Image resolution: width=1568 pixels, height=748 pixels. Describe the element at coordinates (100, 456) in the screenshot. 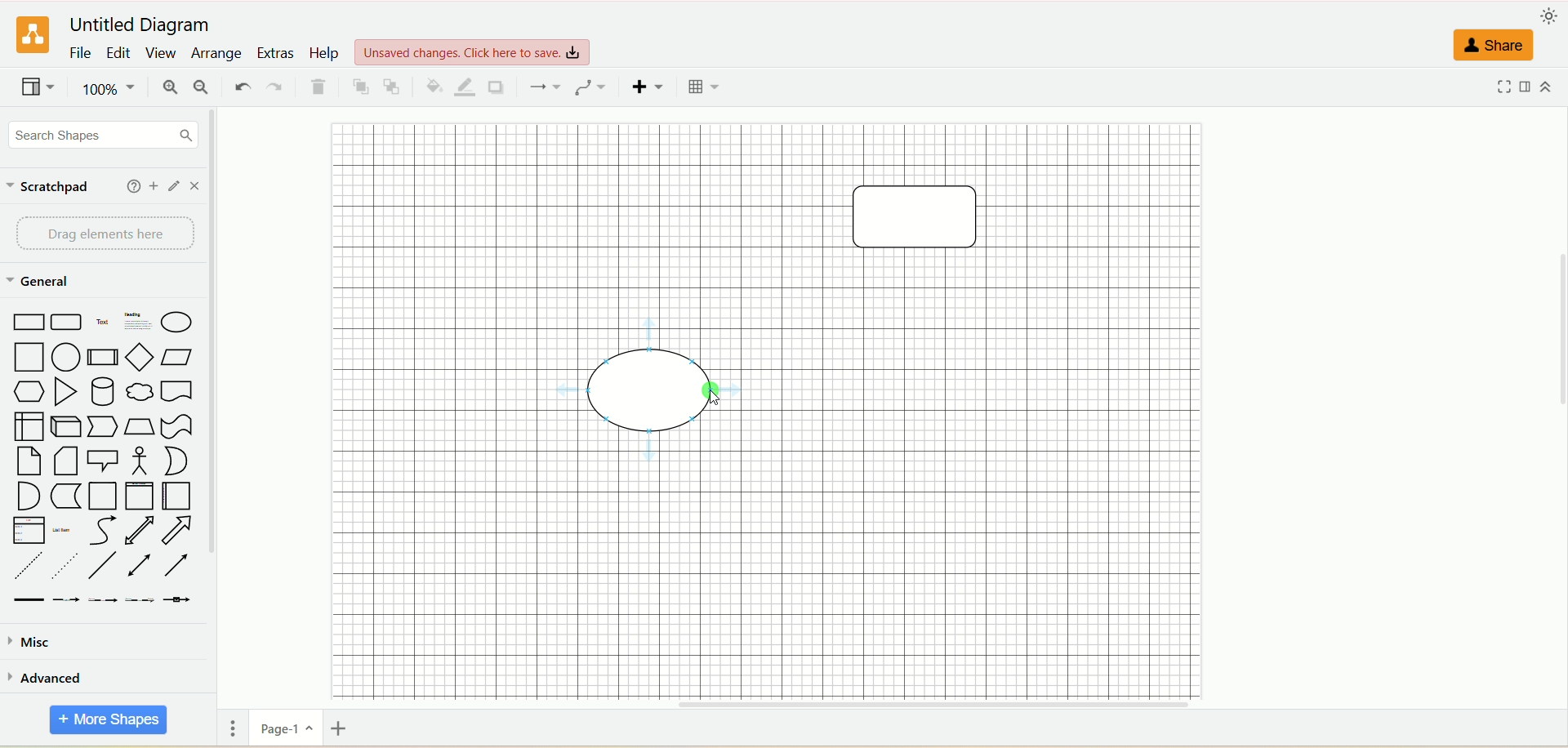

I see `shapes` at that location.